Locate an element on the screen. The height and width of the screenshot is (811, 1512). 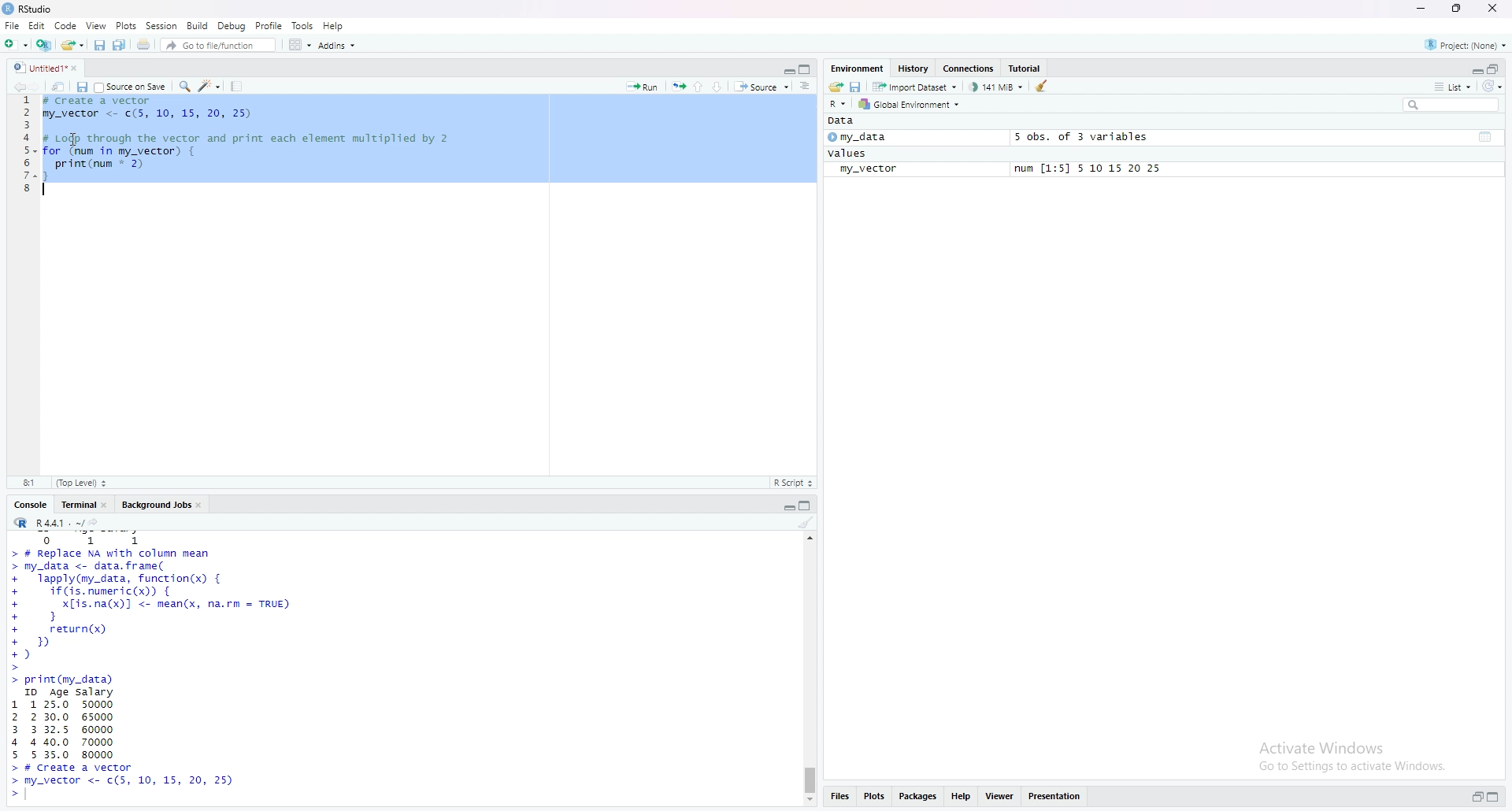
141 MB is located at coordinates (998, 87).